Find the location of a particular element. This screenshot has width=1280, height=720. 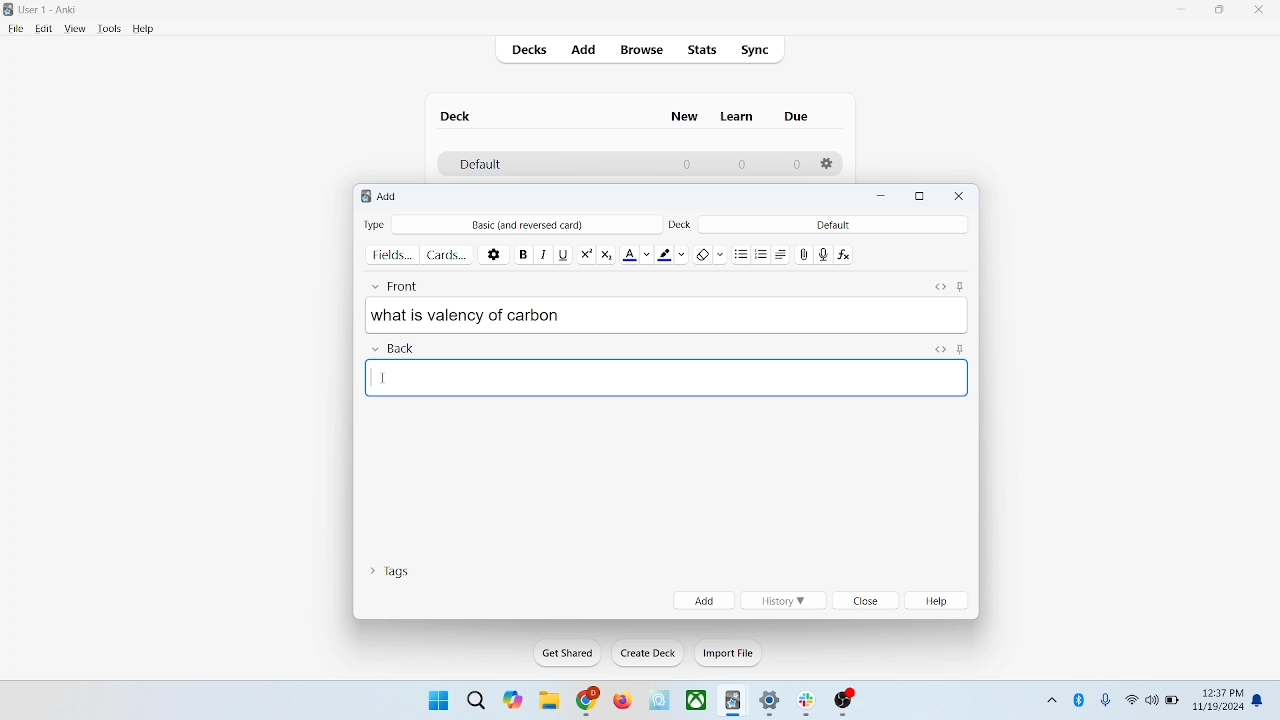

show hidden icons is located at coordinates (1050, 697).